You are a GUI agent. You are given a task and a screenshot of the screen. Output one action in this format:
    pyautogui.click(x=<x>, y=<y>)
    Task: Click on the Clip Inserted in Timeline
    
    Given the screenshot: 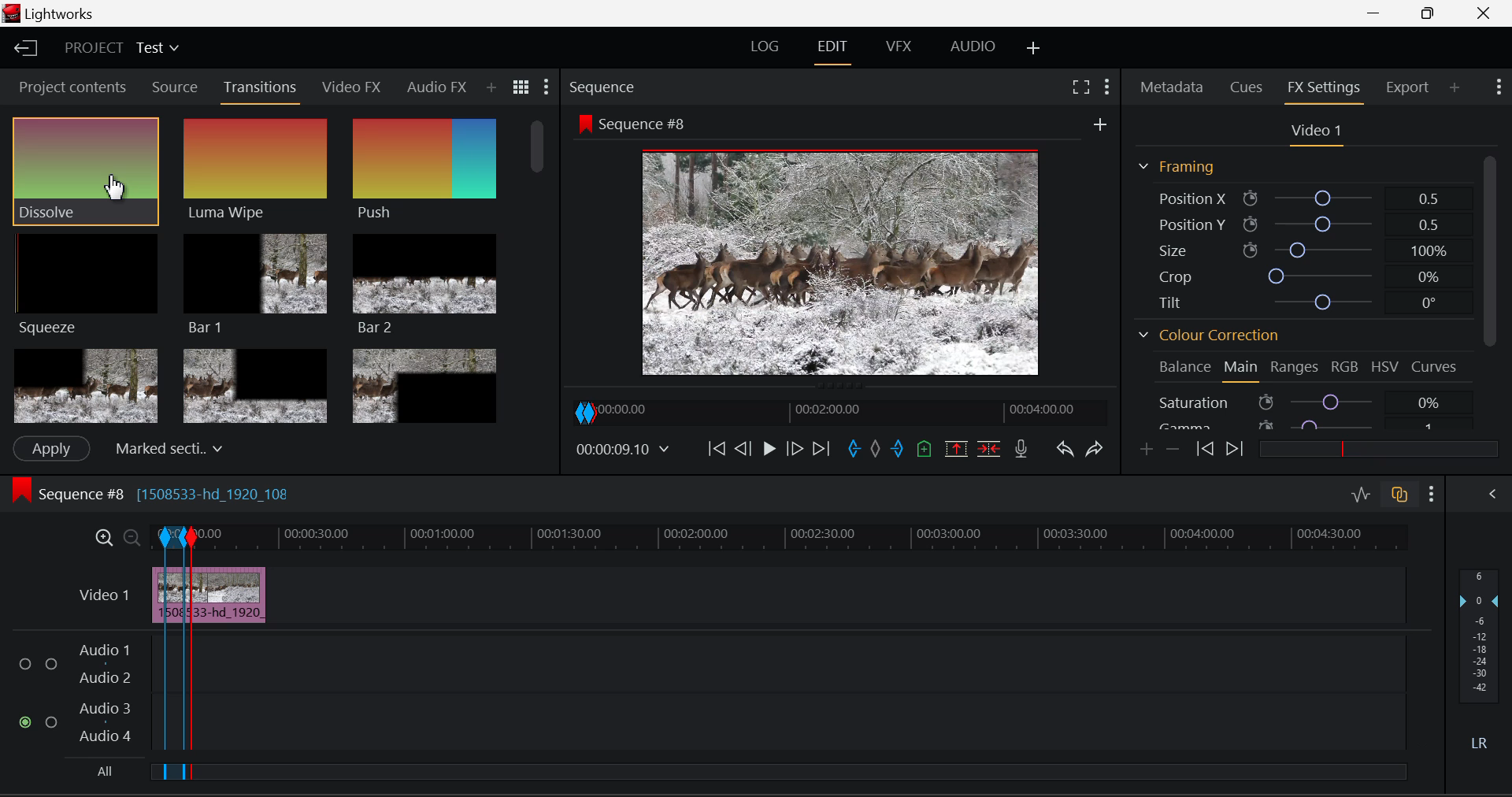 What is the action you would take?
    pyautogui.click(x=231, y=595)
    